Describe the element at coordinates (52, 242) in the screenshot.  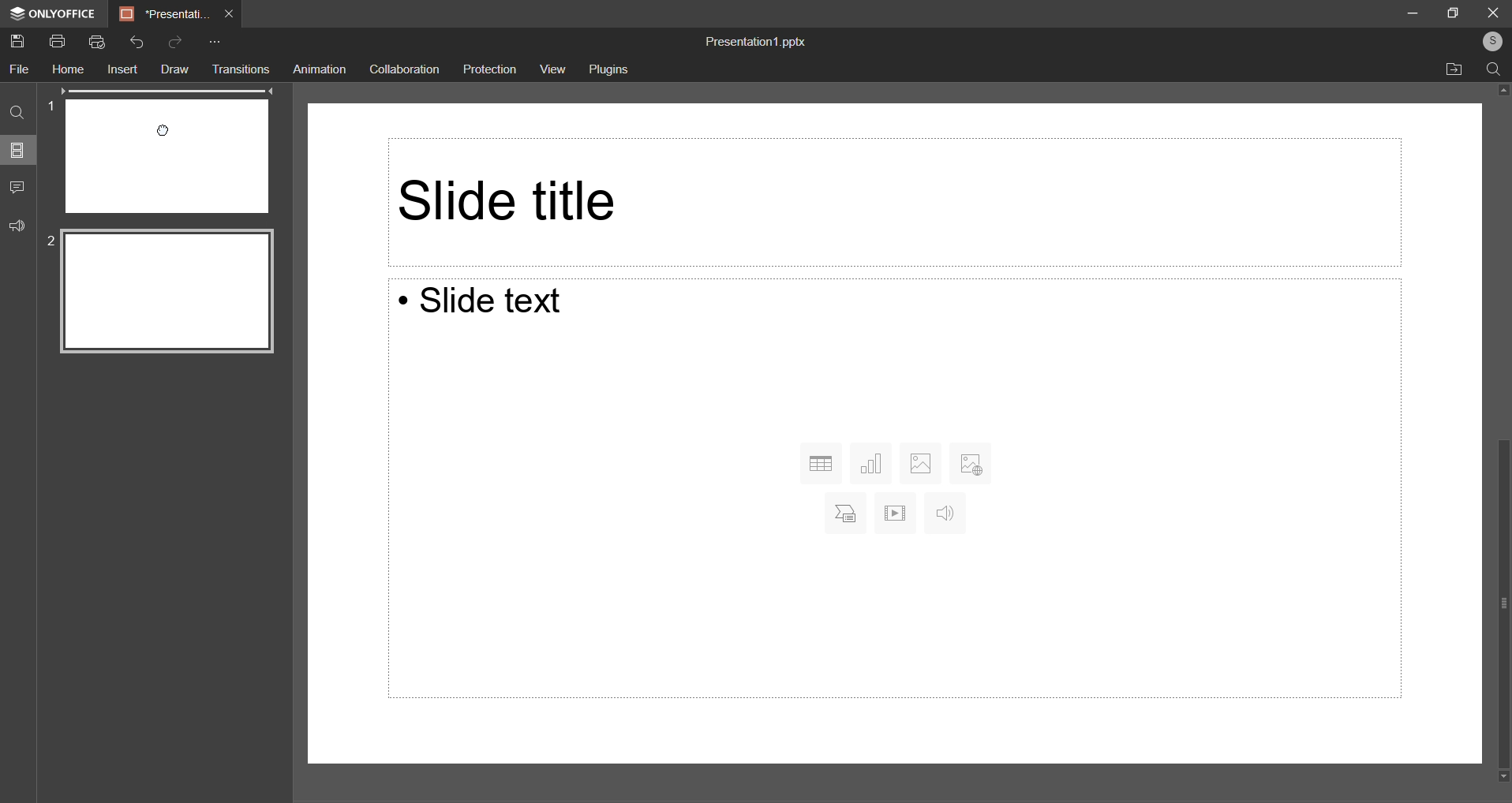
I see `2` at that location.